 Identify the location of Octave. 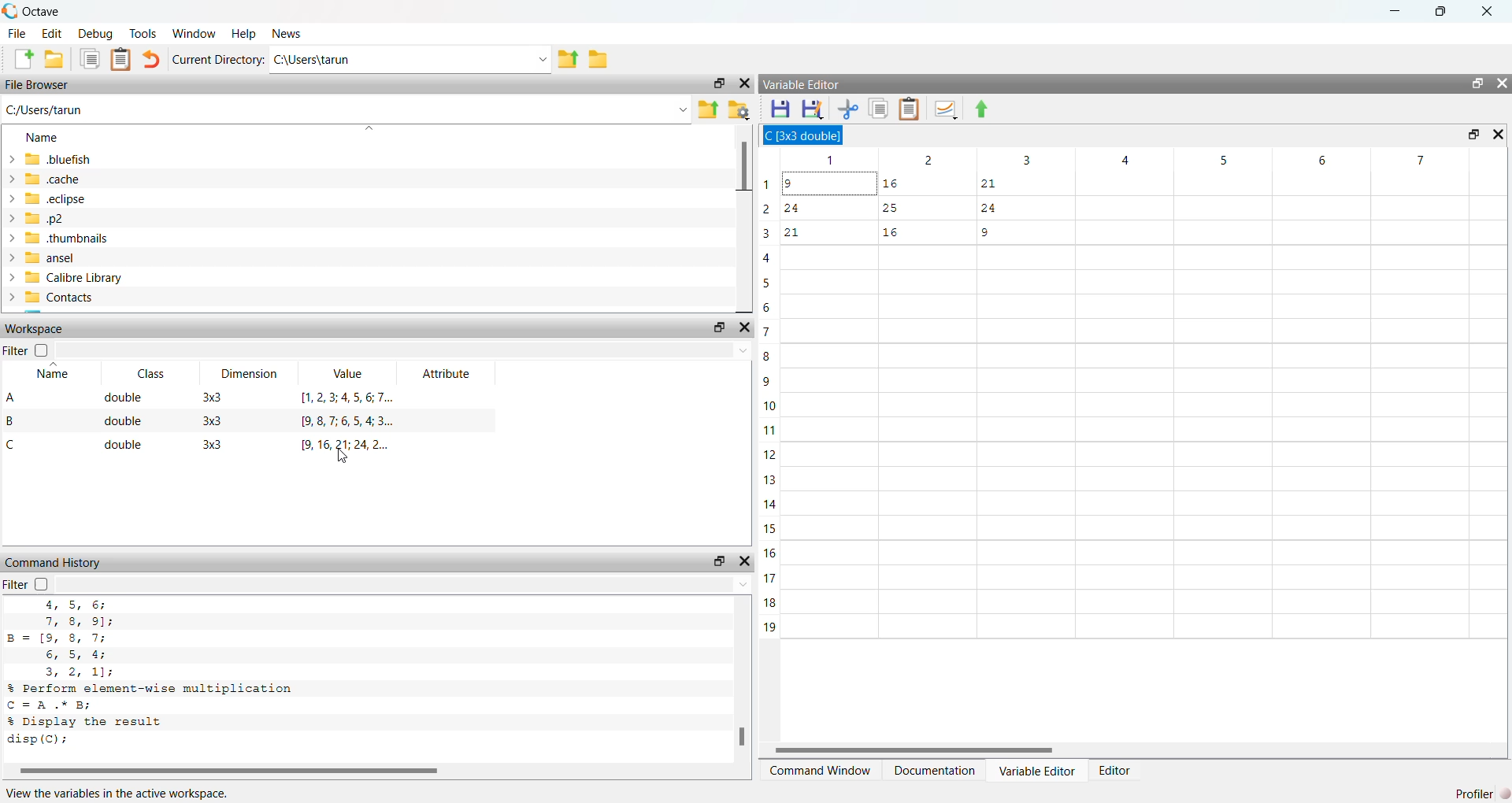
(31, 12).